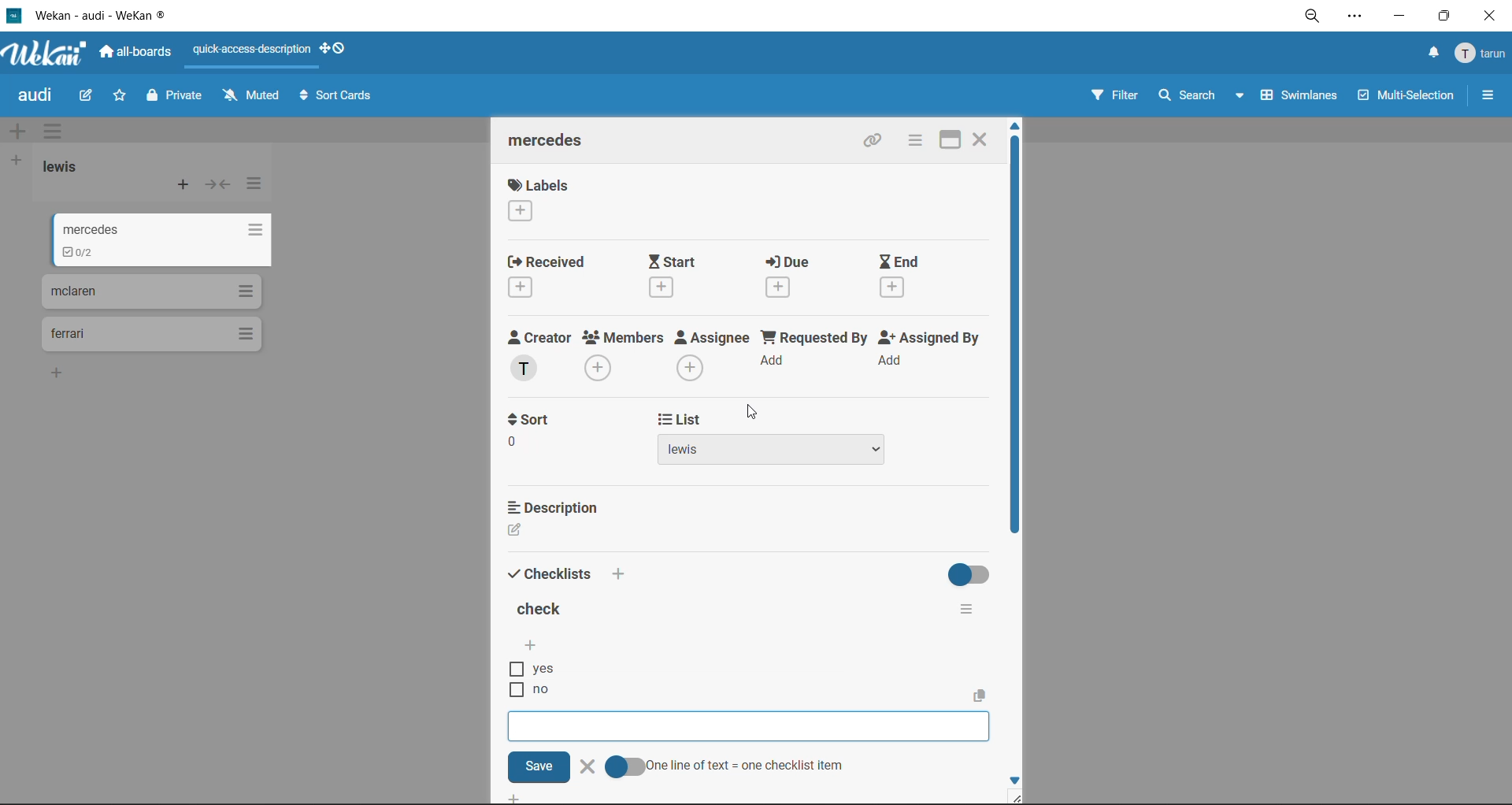  What do you see at coordinates (1113, 98) in the screenshot?
I see `filter` at bounding box center [1113, 98].